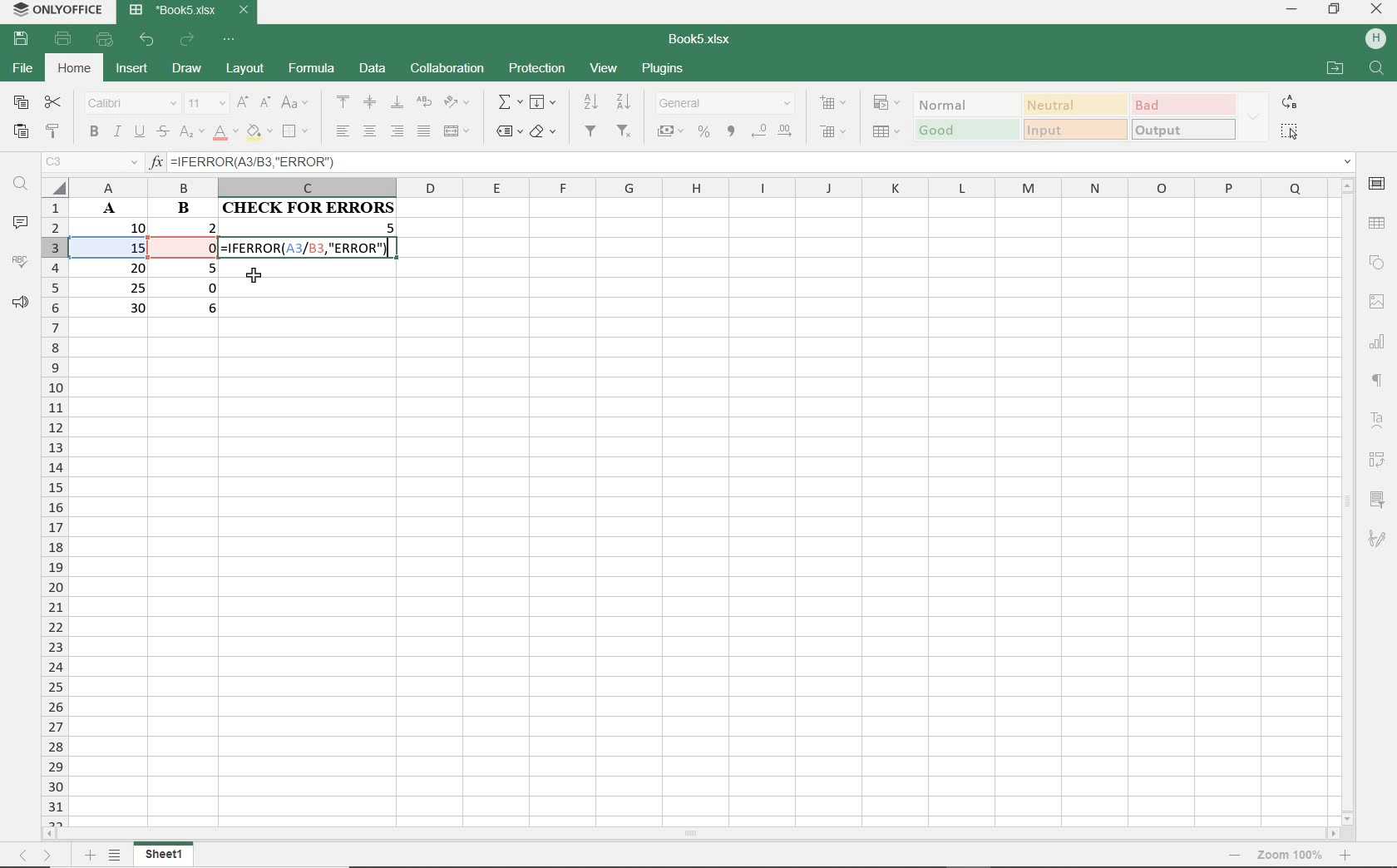 The width and height of the screenshot is (1397, 868). Describe the element at coordinates (94, 133) in the screenshot. I see `BOLD` at that location.